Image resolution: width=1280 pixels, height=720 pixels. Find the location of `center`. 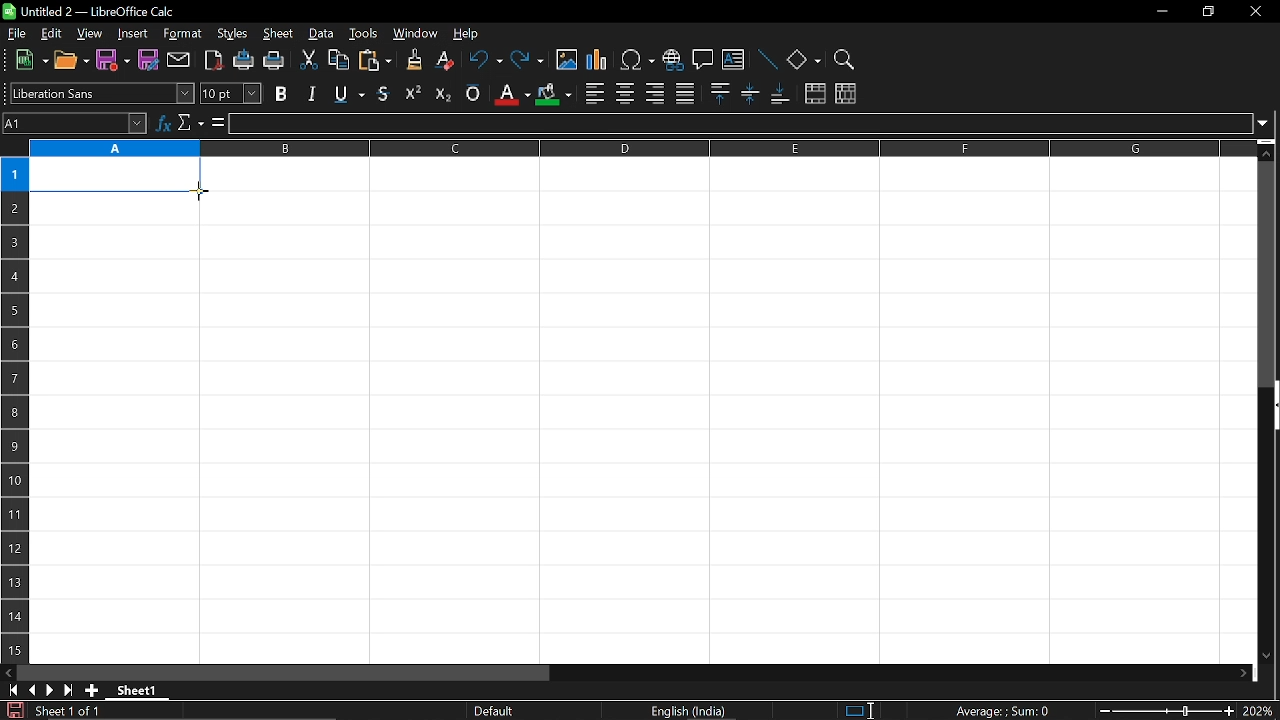

center is located at coordinates (625, 93).